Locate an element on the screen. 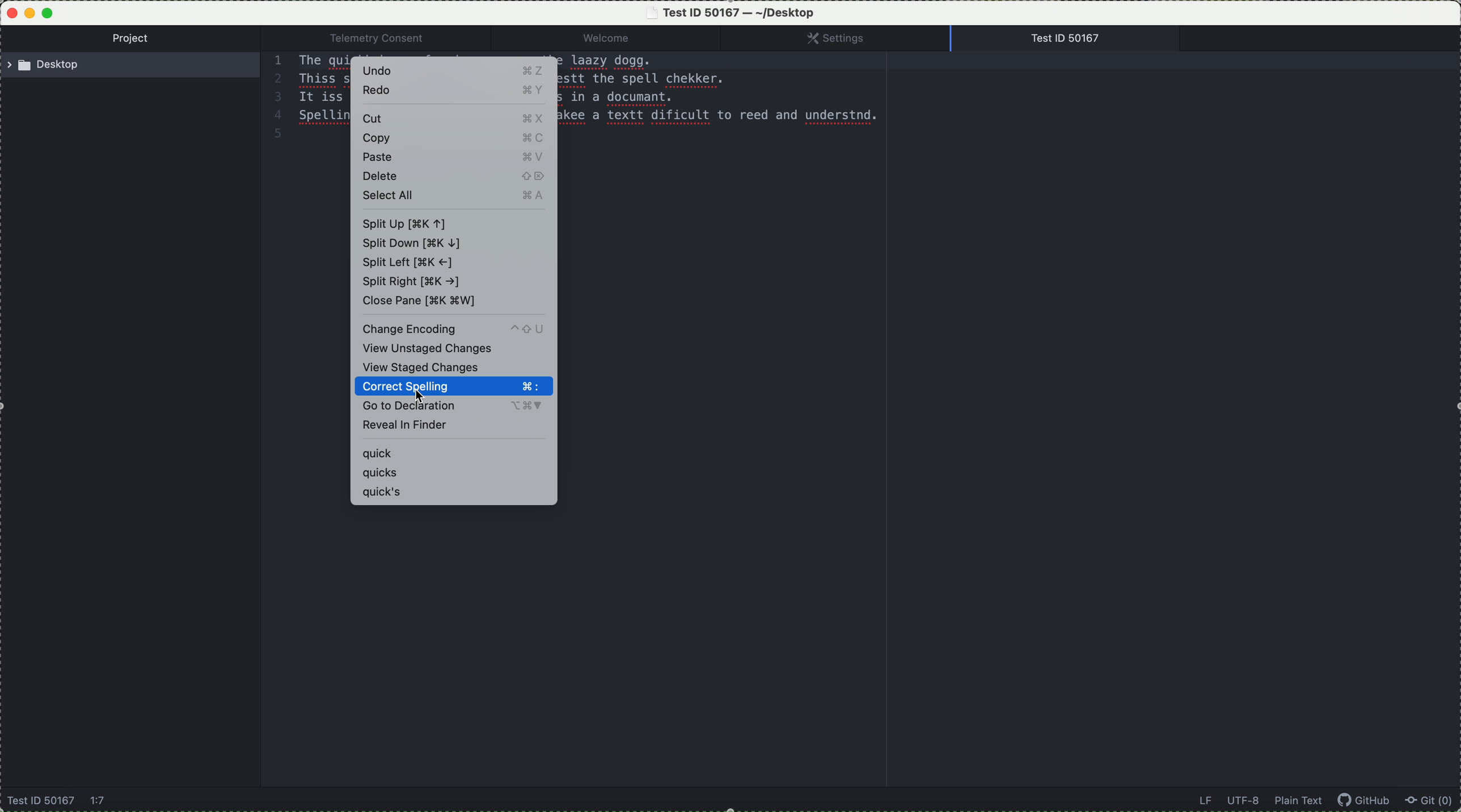 The image size is (1461, 812). quick is located at coordinates (380, 455).